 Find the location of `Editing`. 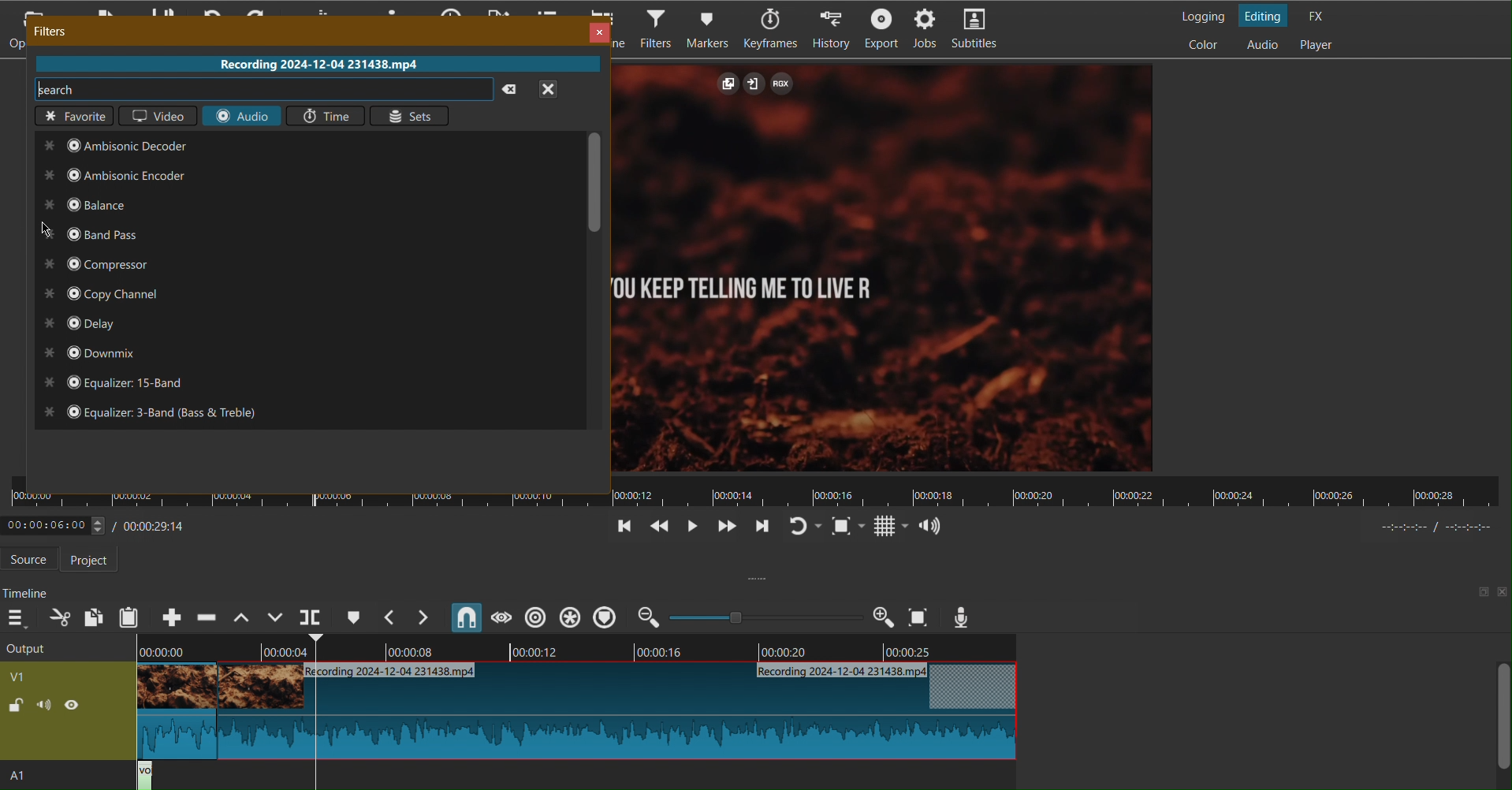

Editing is located at coordinates (1268, 15).